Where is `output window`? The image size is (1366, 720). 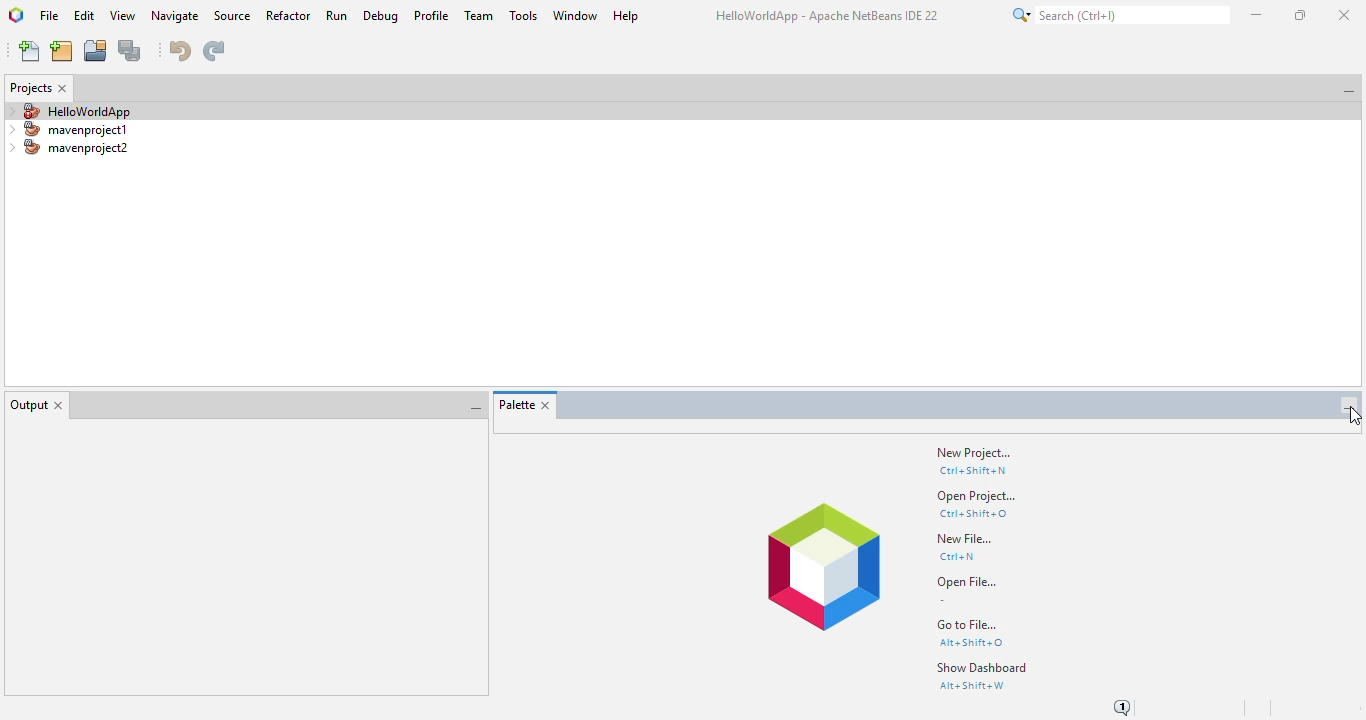 output window is located at coordinates (242, 557).